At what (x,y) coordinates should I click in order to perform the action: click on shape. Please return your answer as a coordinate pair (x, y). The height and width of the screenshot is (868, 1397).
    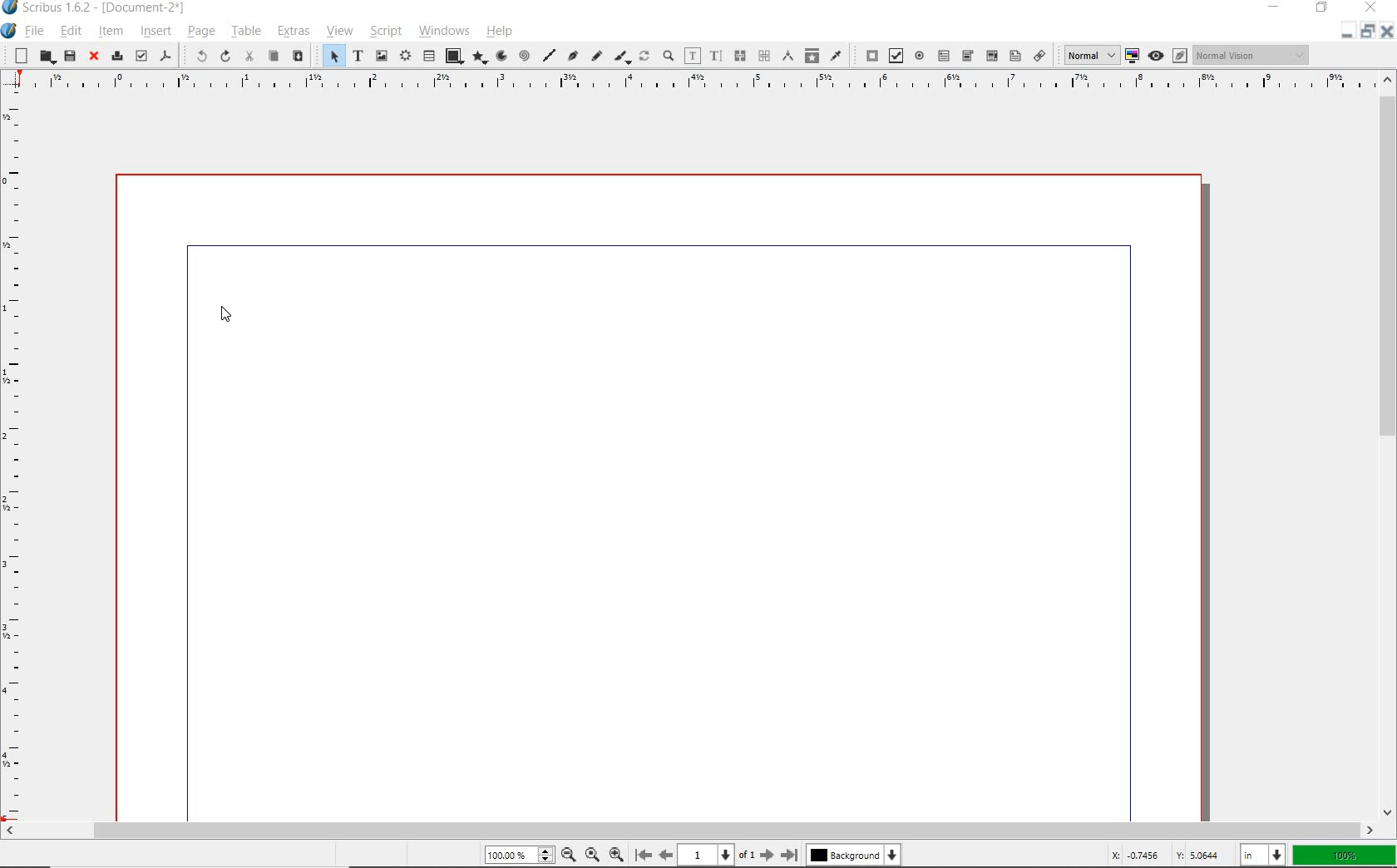
    Looking at the image, I should click on (454, 57).